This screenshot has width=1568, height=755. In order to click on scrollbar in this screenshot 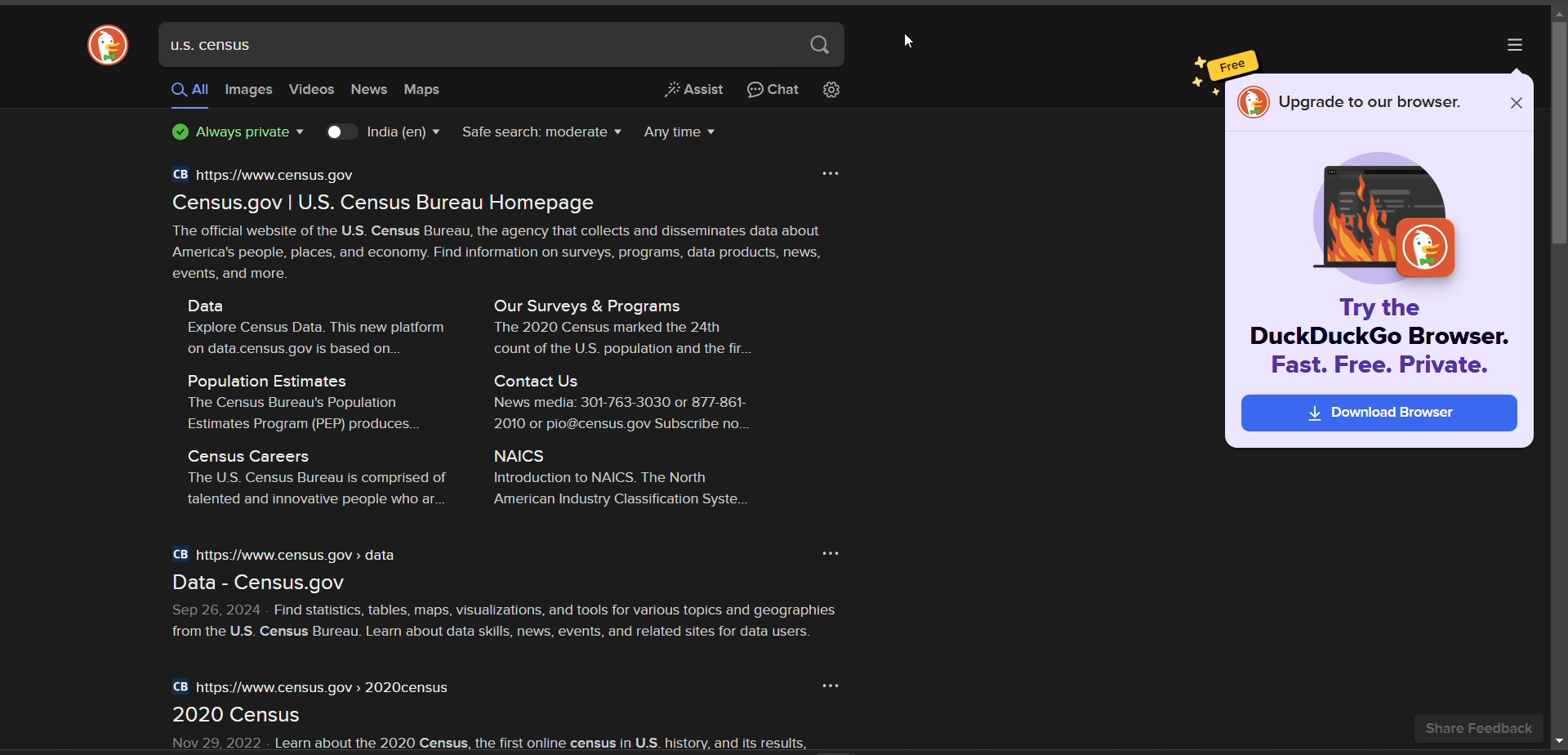, I will do `click(1558, 377)`.